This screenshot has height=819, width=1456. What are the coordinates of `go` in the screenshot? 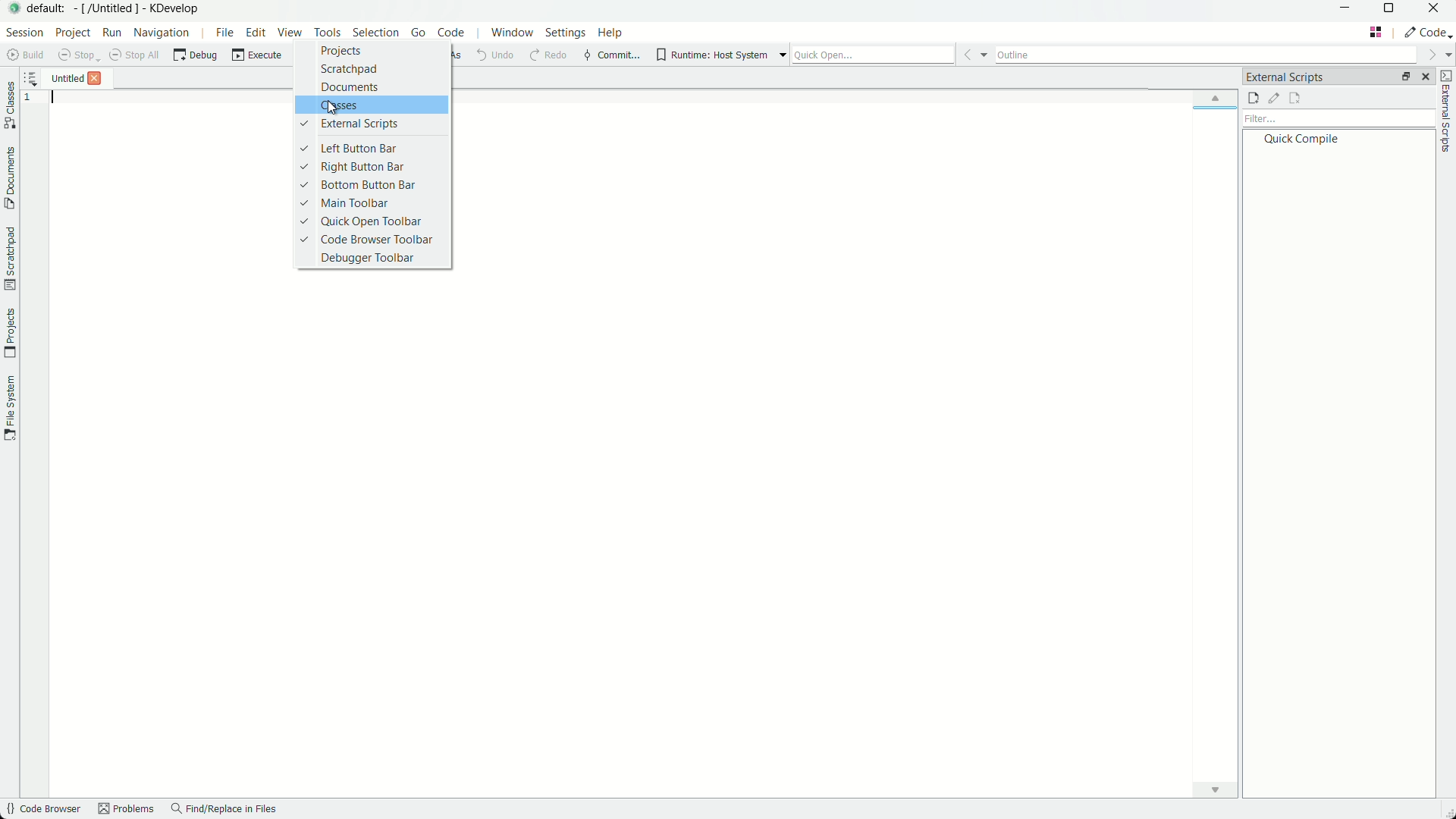 It's located at (417, 35).